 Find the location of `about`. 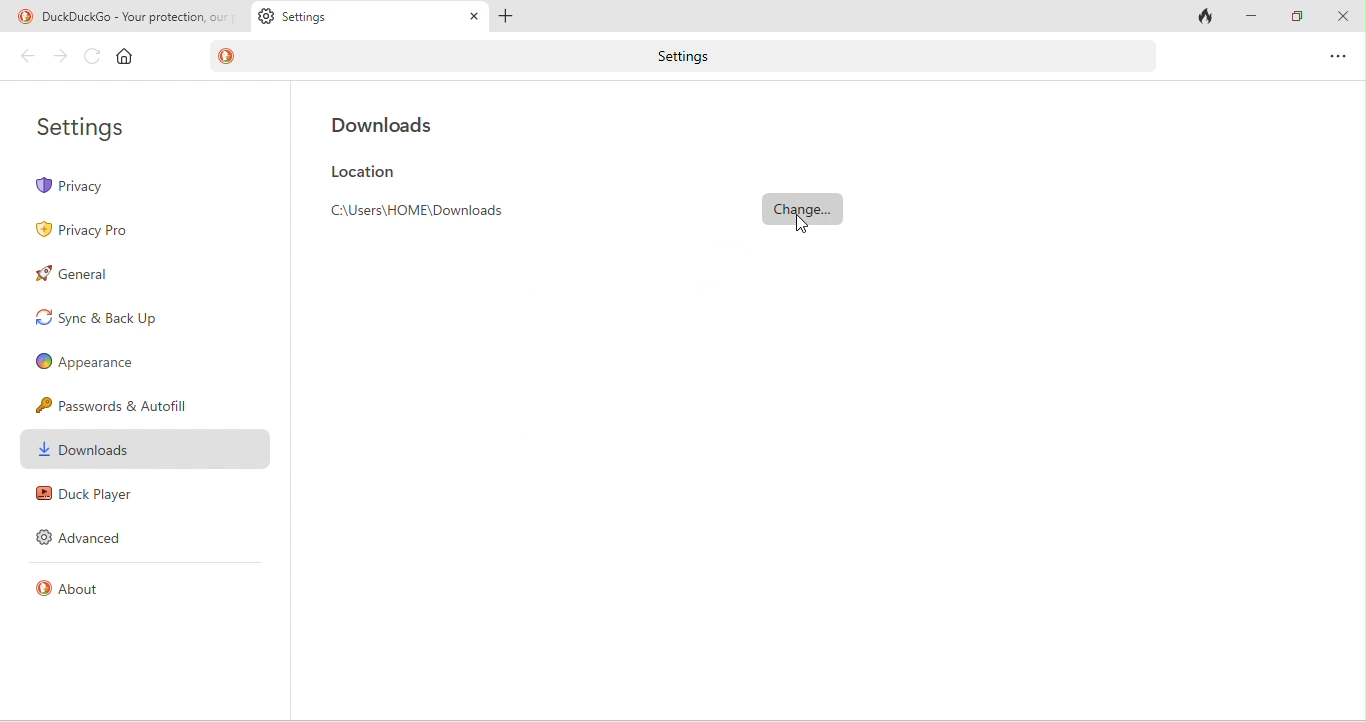

about is located at coordinates (82, 595).